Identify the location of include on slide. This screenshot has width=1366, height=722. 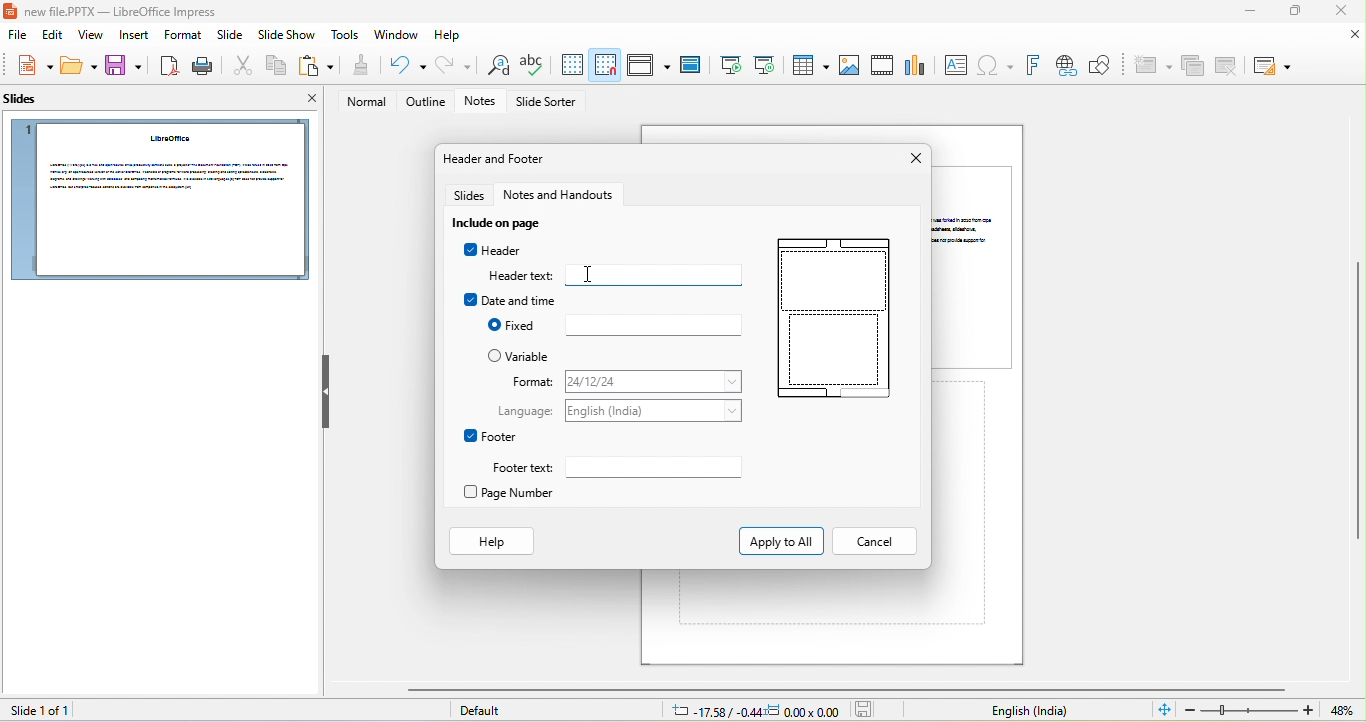
(502, 223).